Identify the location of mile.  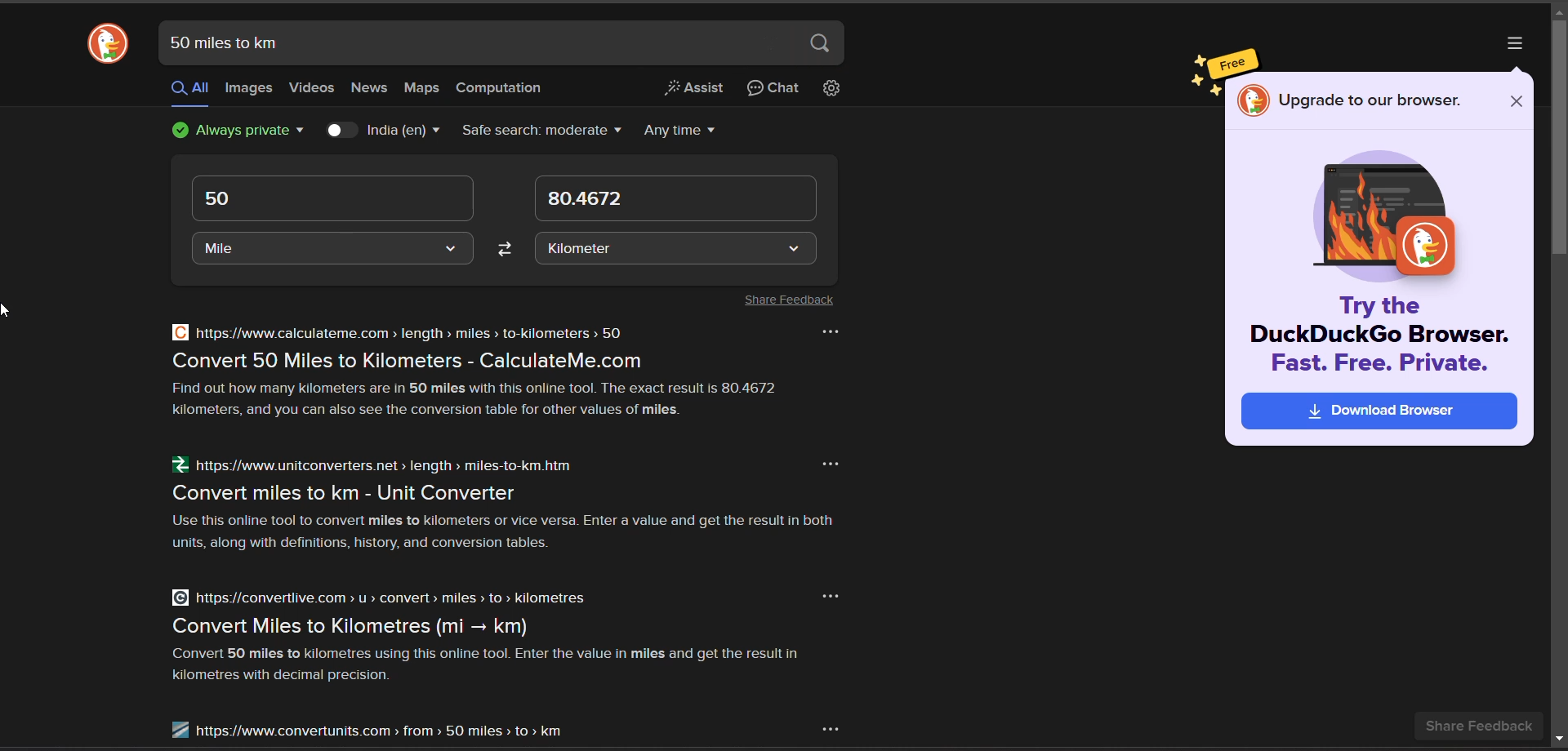
(217, 251).